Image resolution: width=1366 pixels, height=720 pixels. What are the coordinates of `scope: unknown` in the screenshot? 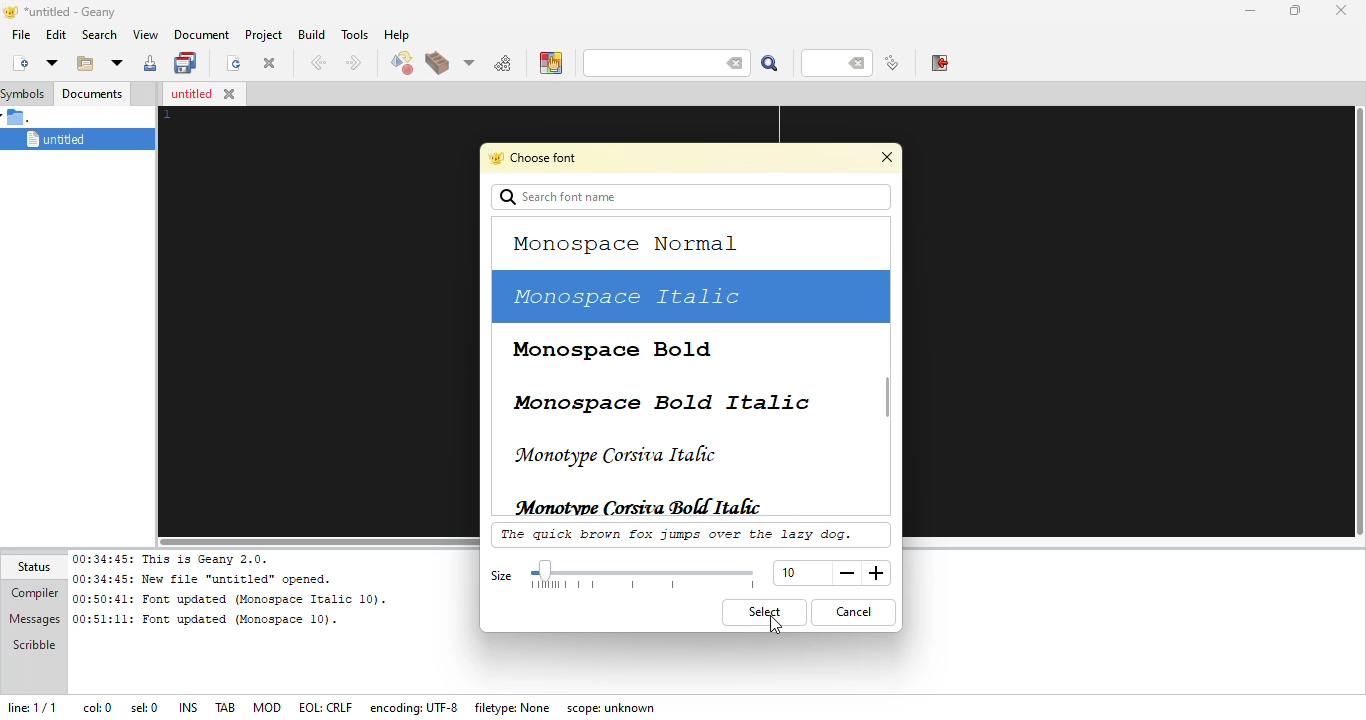 It's located at (615, 708).